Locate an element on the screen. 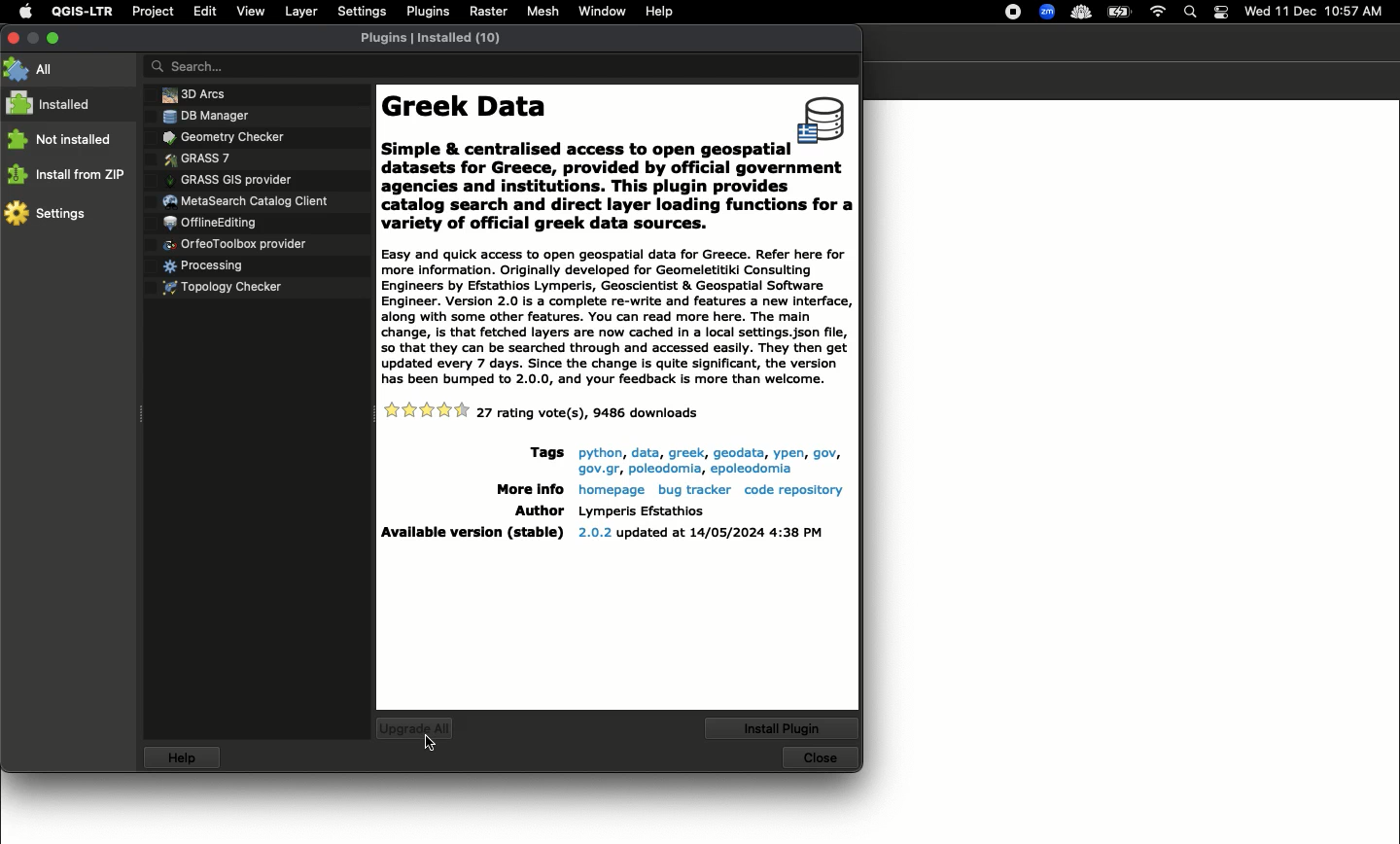 The height and width of the screenshot is (844, 1400). Geometry checker is located at coordinates (221, 137).